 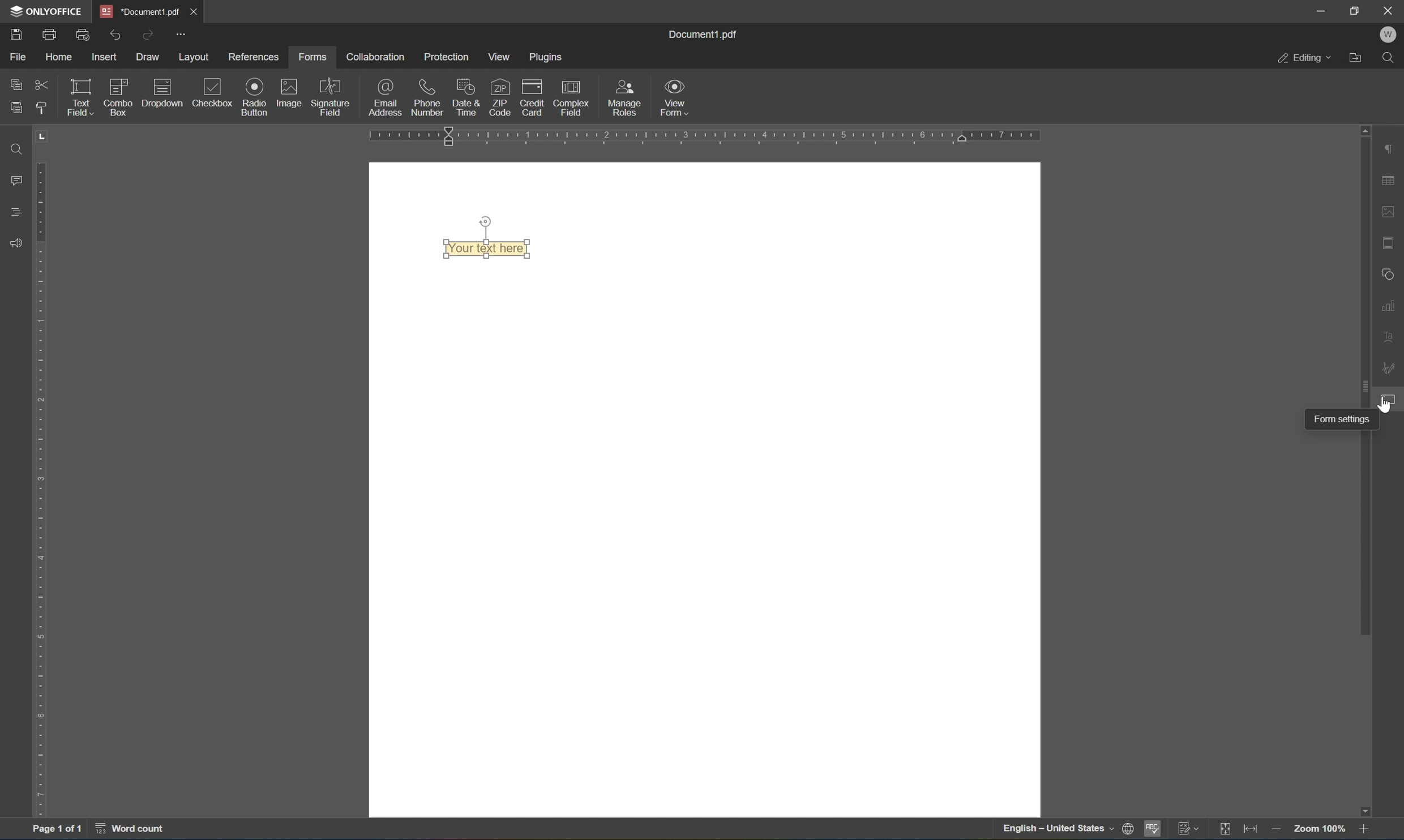 What do you see at coordinates (1187, 830) in the screenshot?
I see `track changes` at bounding box center [1187, 830].